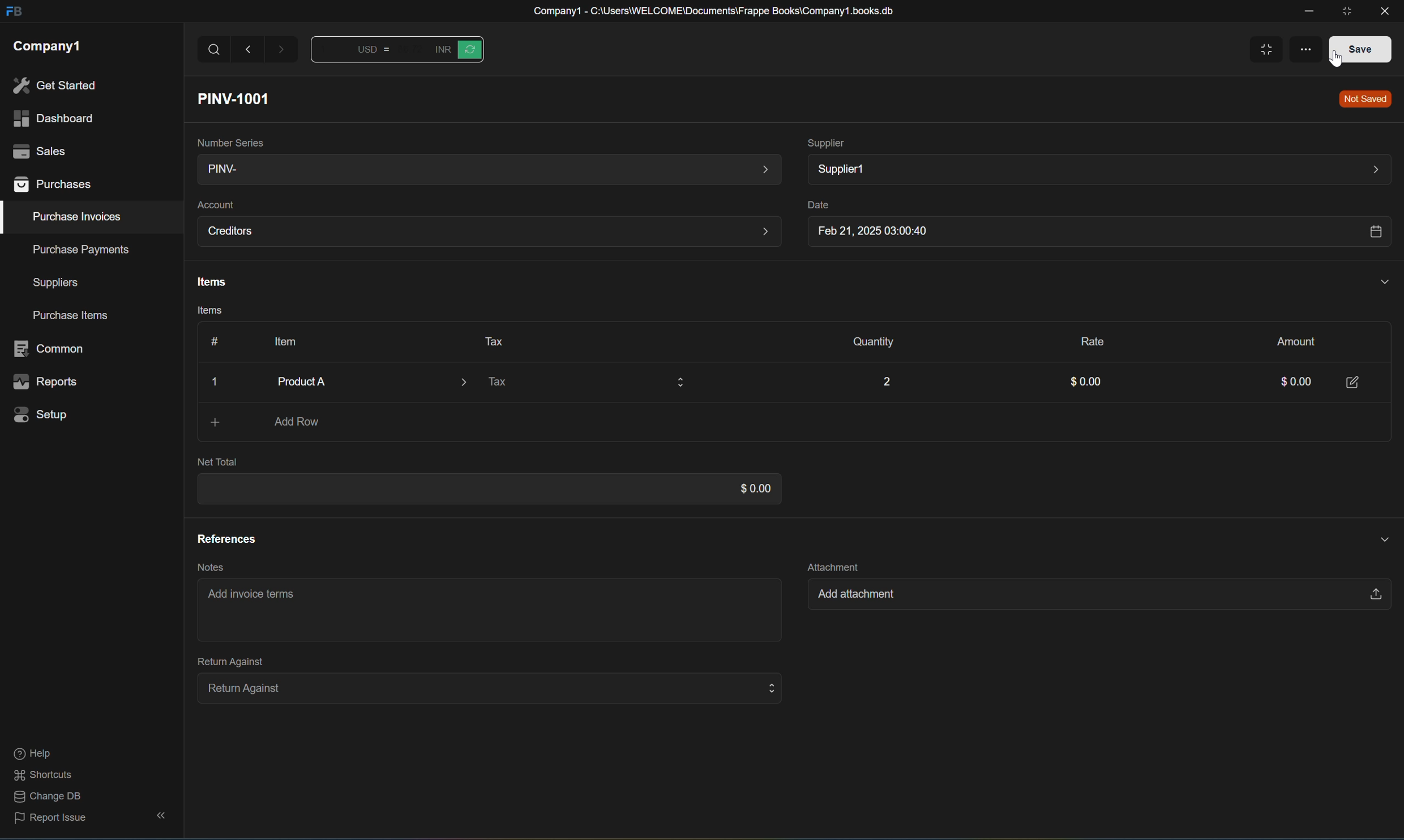 The height and width of the screenshot is (840, 1404). I want to click on purchases, so click(54, 186).